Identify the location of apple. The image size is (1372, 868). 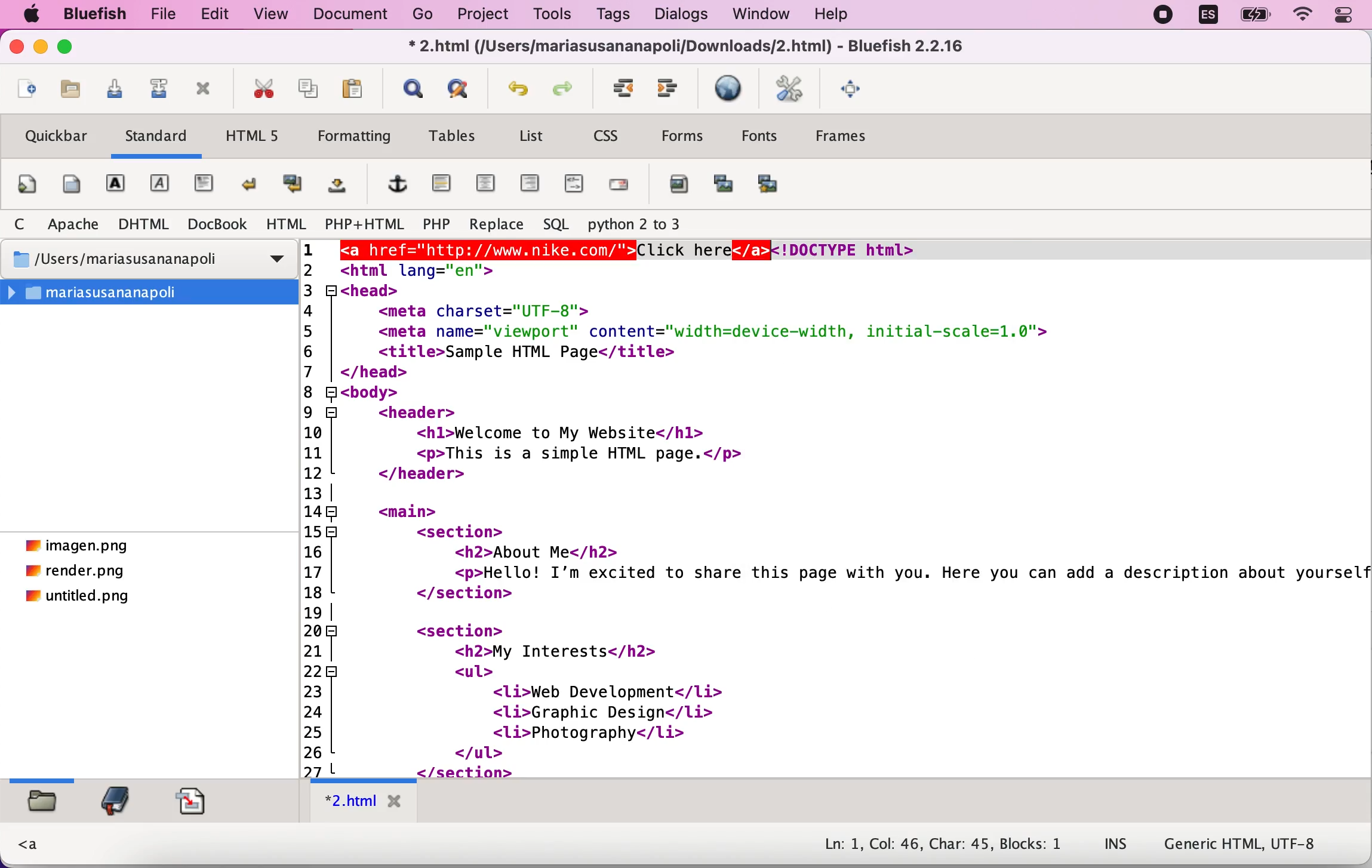
(30, 16).